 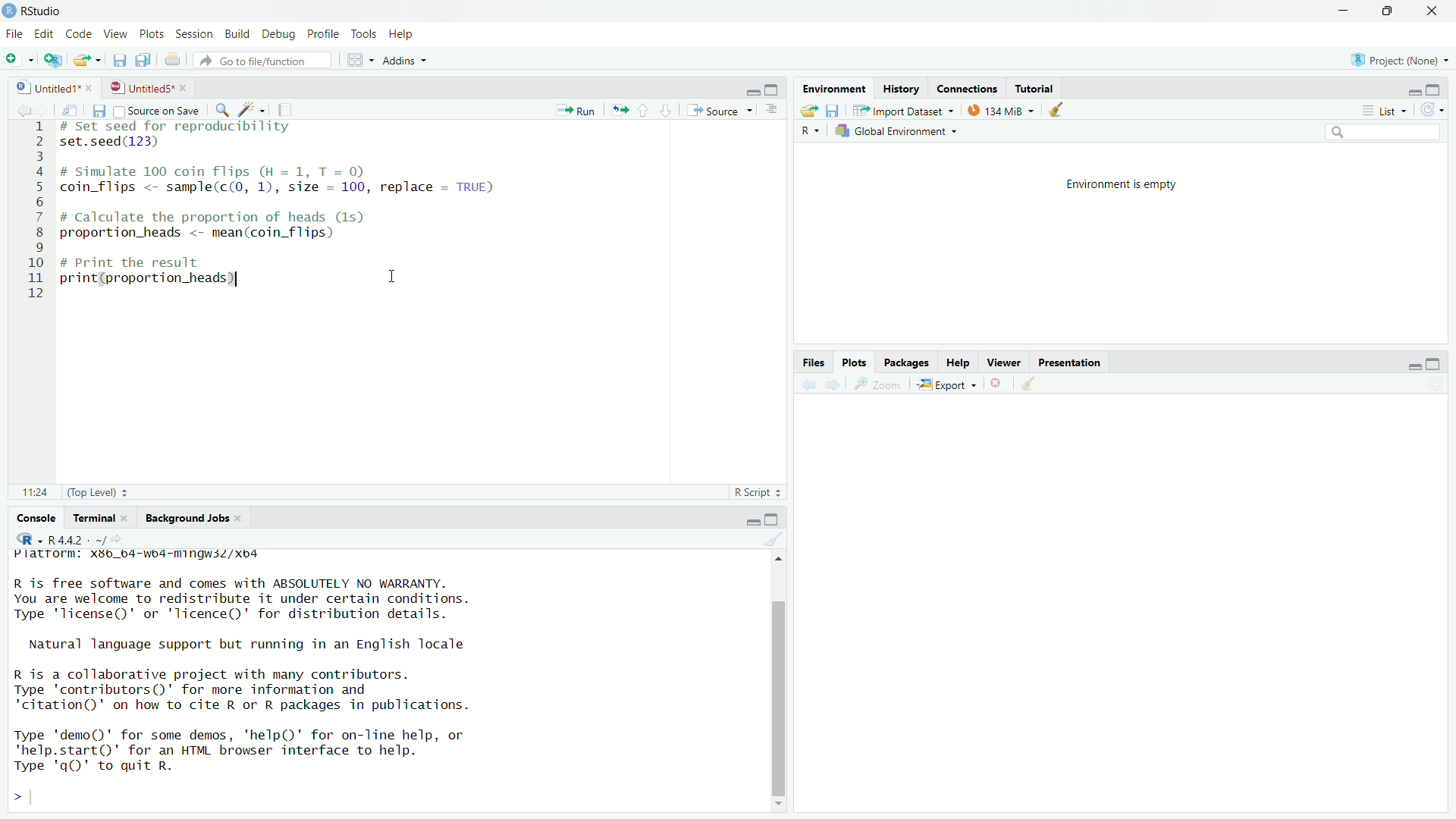 What do you see at coordinates (1006, 362) in the screenshot?
I see `Viewer` at bounding box center [1006, 362].